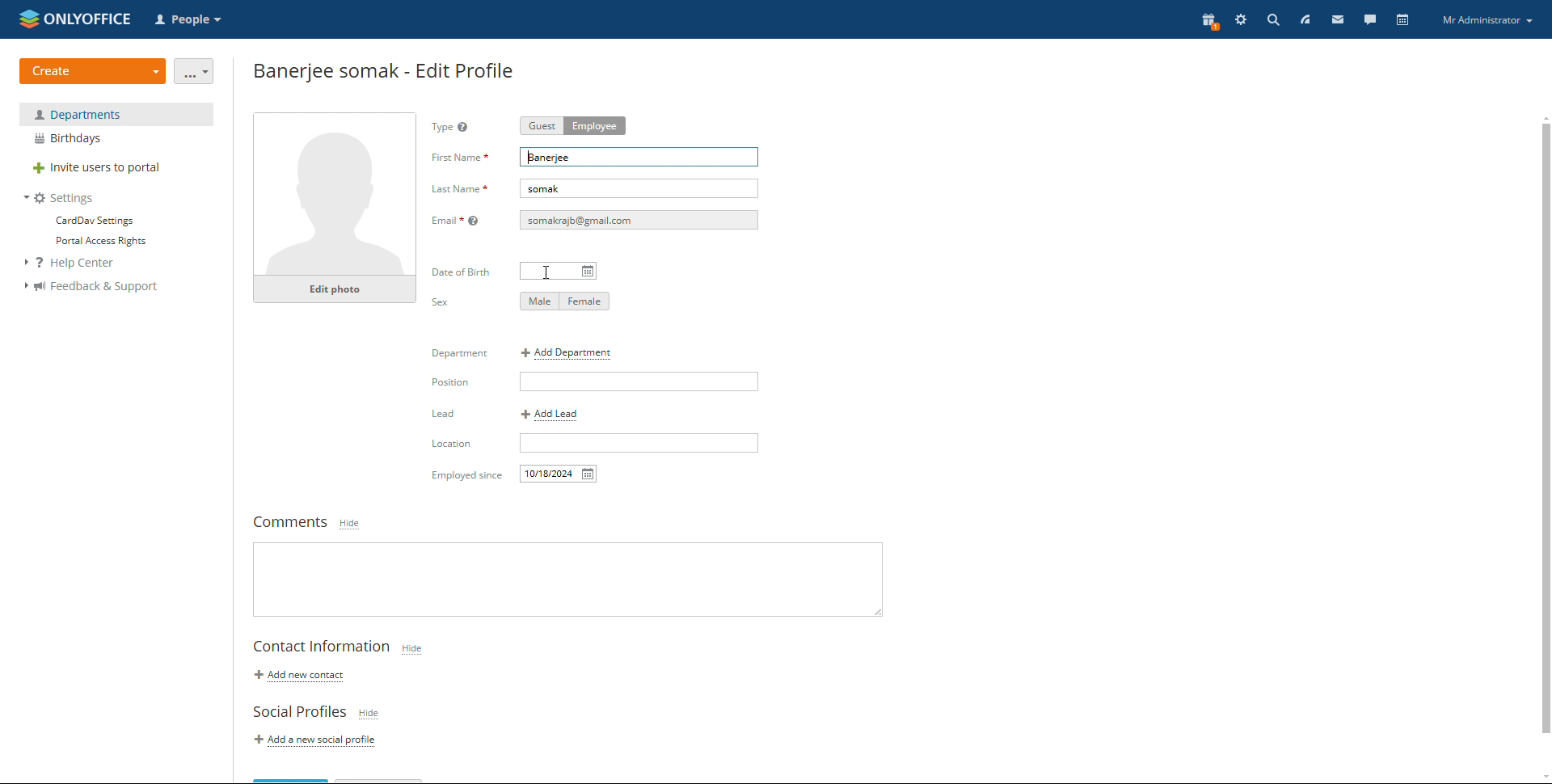 The height and width of the screenshot is (784, 1552). Describe the element at coordinates (191, 20) in the screenshot. I see `select application` at that location.